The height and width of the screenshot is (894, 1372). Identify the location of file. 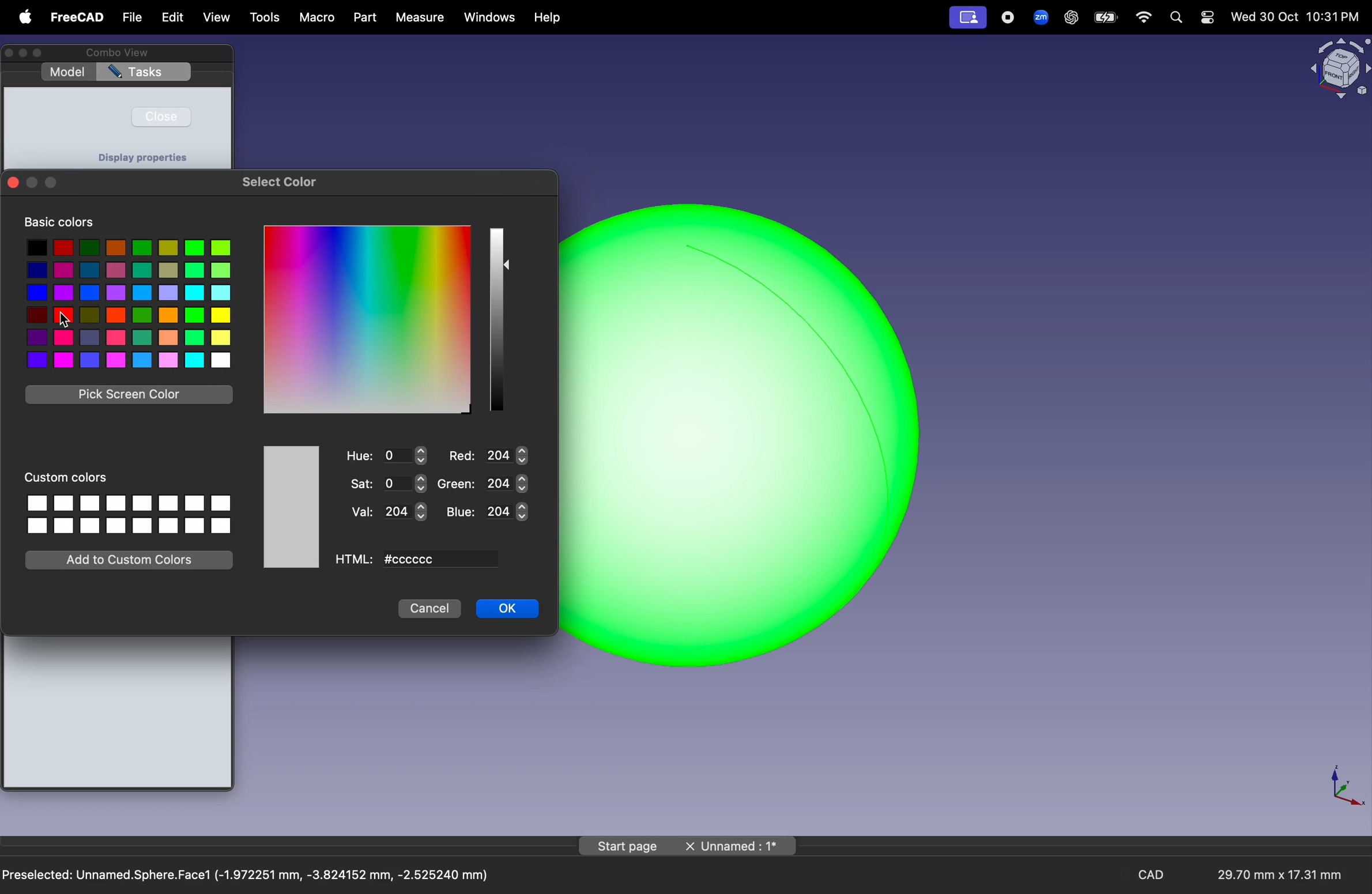
(133, 18).